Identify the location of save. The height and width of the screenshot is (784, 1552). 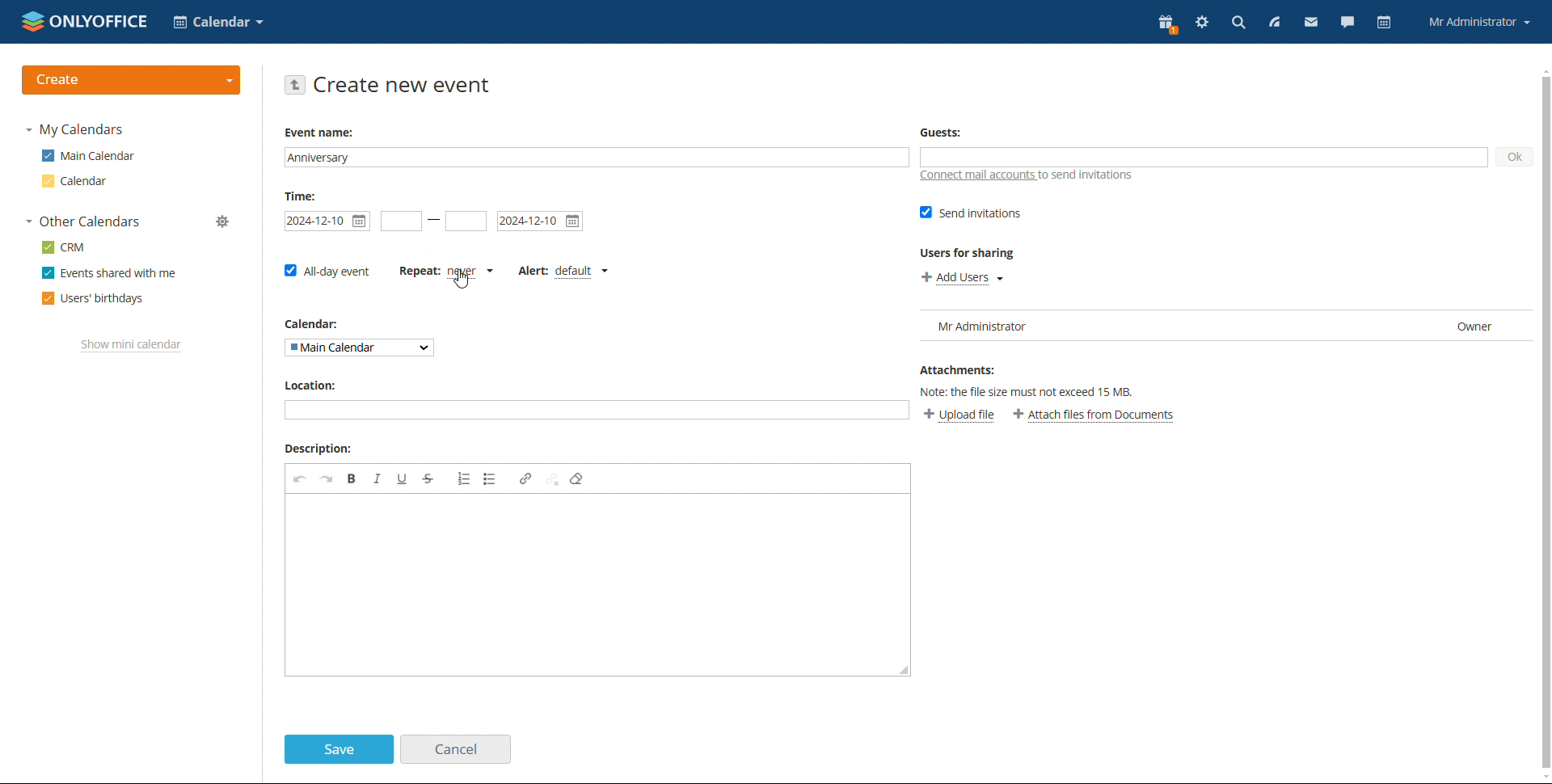
(338, 749).